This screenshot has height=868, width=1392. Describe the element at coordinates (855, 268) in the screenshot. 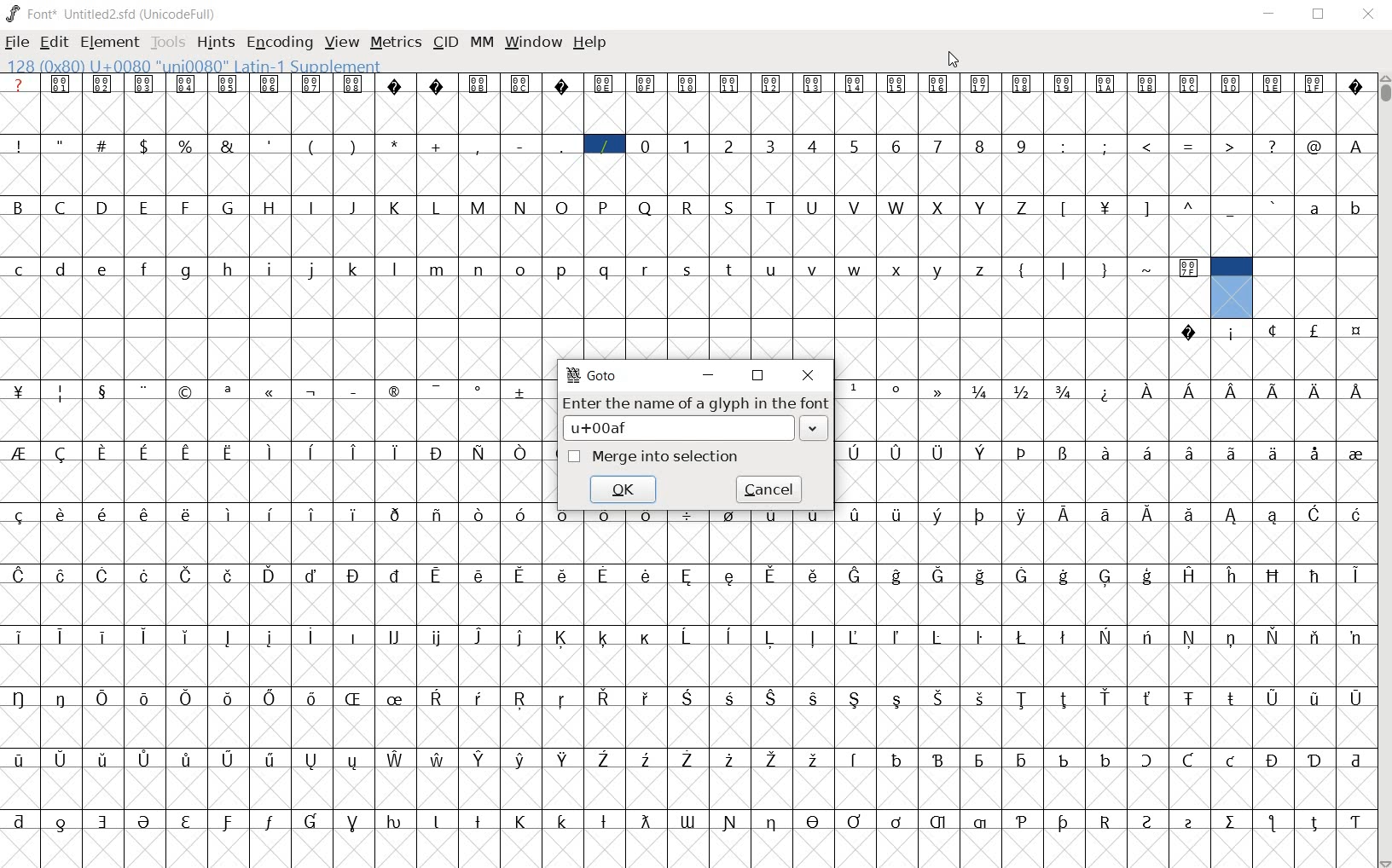

I see `w` at that location.